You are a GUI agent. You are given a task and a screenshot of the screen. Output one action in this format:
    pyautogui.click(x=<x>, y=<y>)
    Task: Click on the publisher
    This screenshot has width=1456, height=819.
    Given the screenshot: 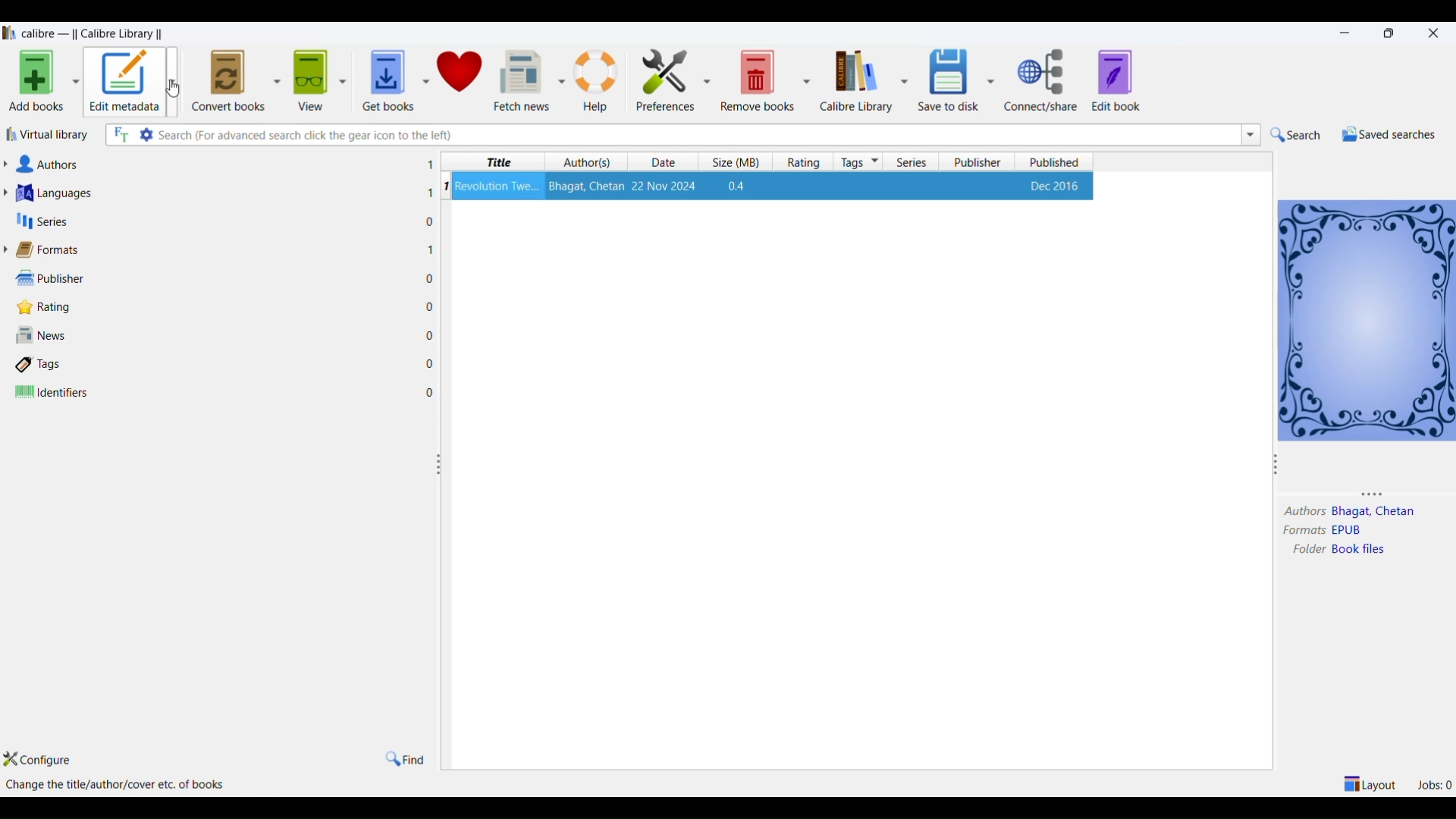 What is the action you would take?
    pyautogui.click(x=979, y=162)
    